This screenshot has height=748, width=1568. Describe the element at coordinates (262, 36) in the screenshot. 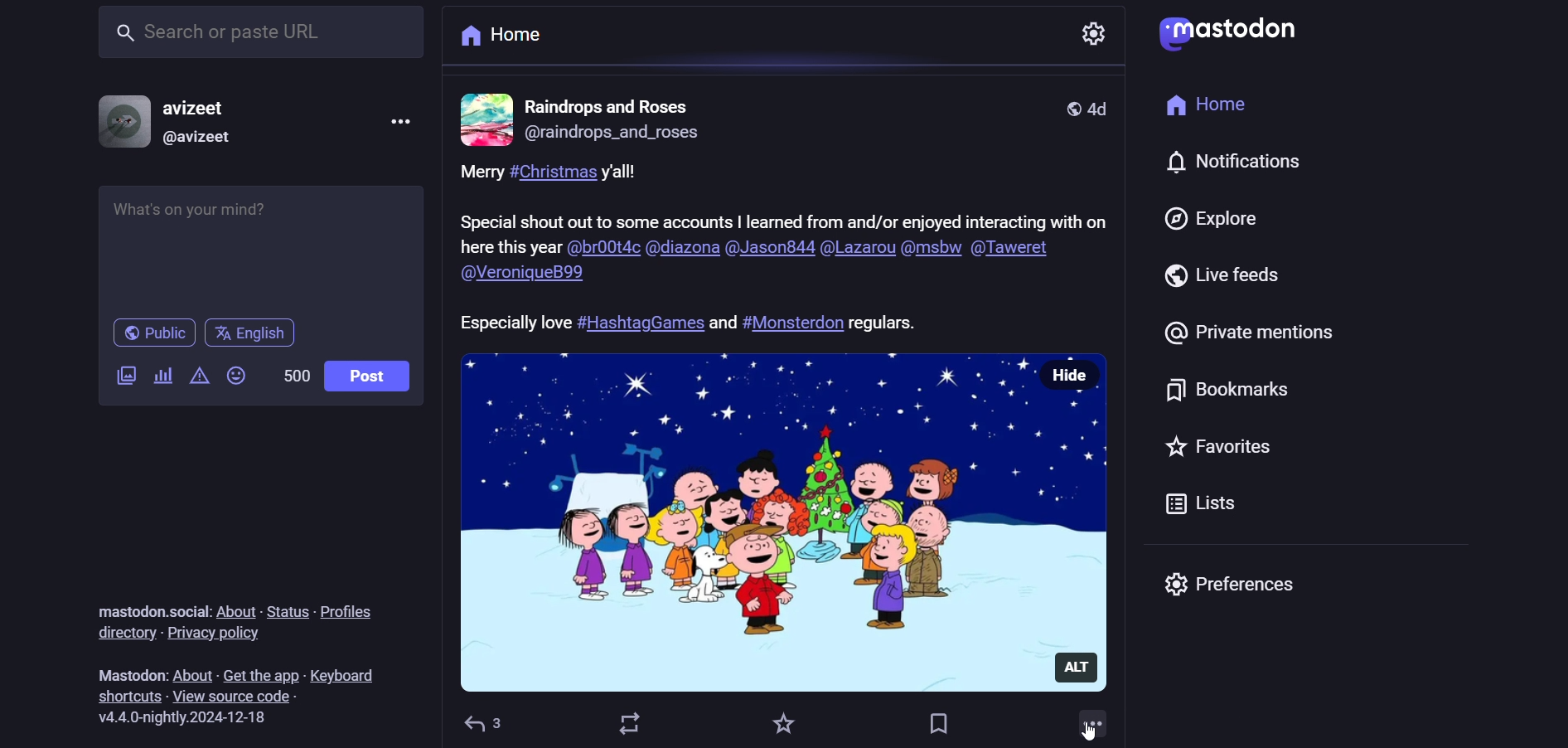

I see `search` at that location.